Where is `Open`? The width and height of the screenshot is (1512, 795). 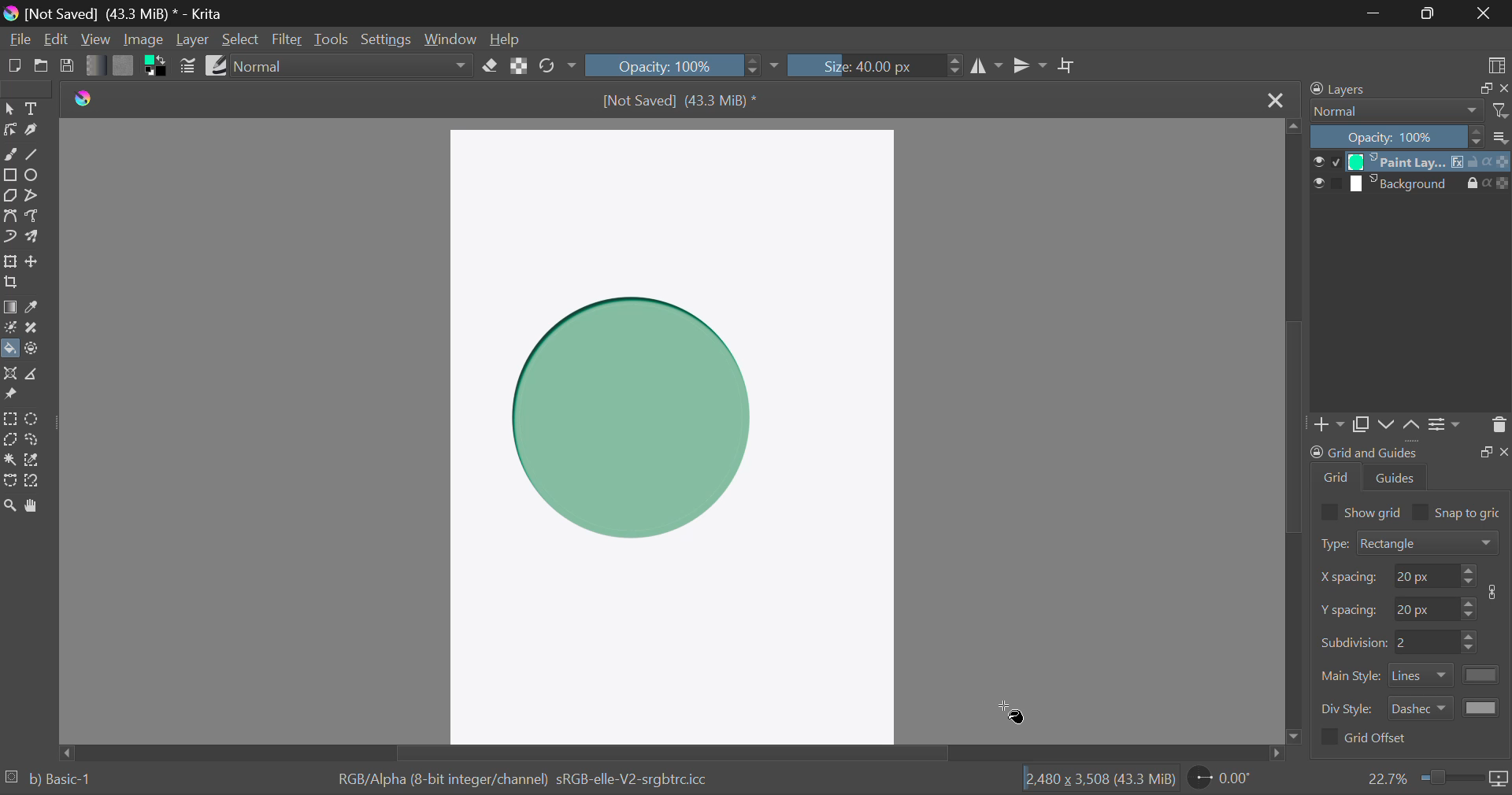 Open is located at coordinates (43, 65).